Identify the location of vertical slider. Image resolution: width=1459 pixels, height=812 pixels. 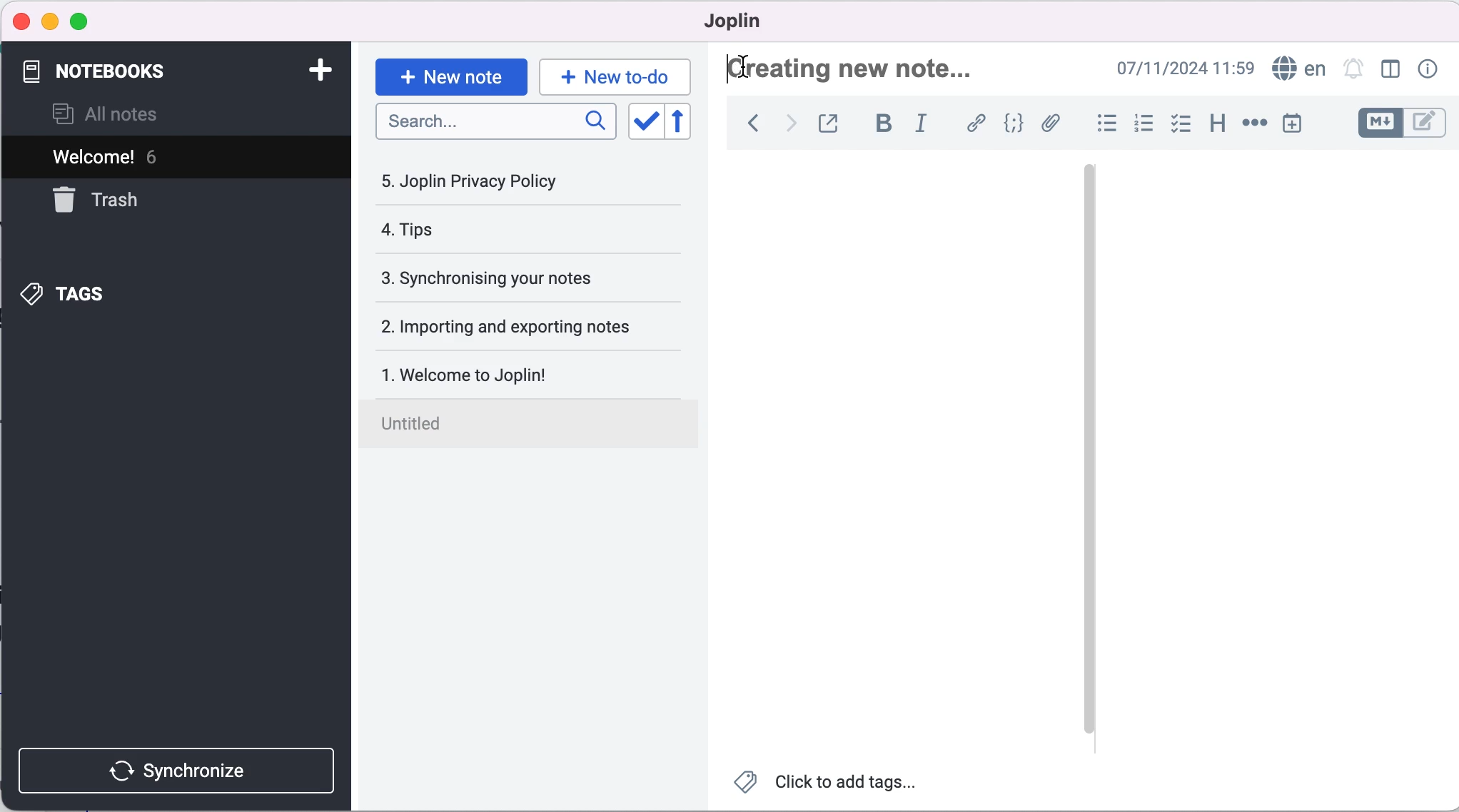
(1089, 213).